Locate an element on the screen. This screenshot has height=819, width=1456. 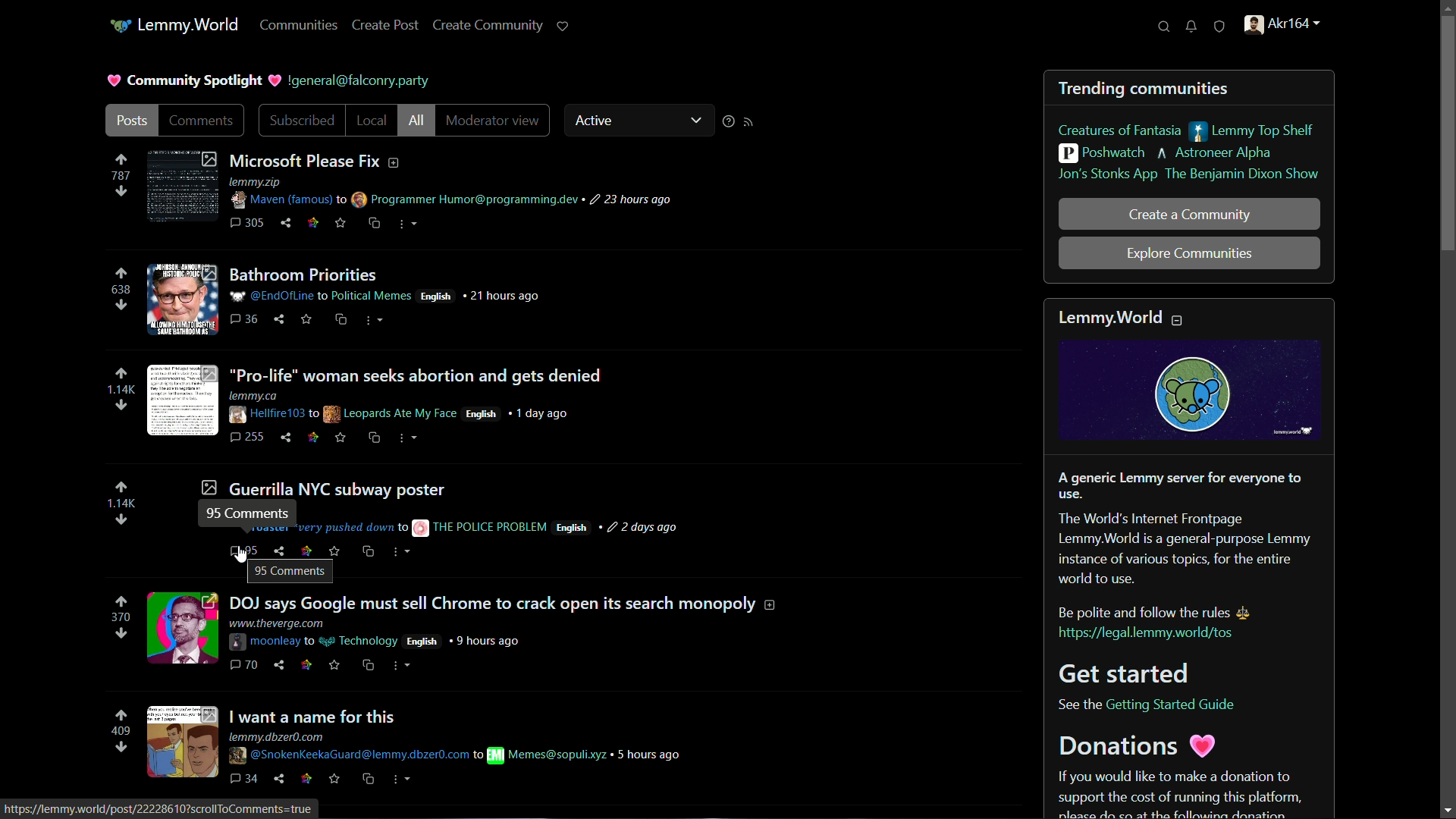
number of votes is located at coordinates (120, 617).